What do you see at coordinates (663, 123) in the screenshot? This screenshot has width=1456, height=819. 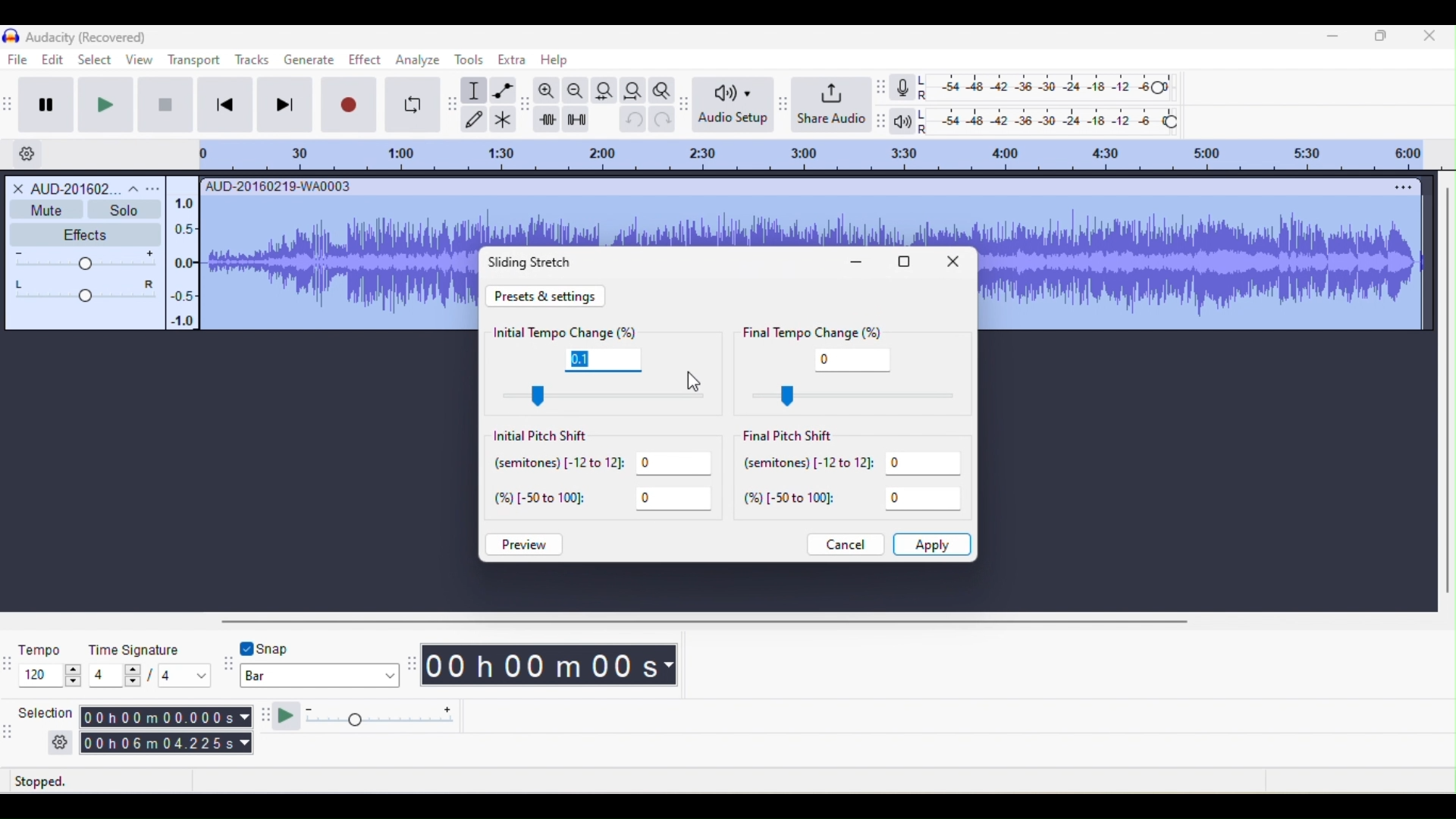 I see `redo` at bounding box center [663, 123].